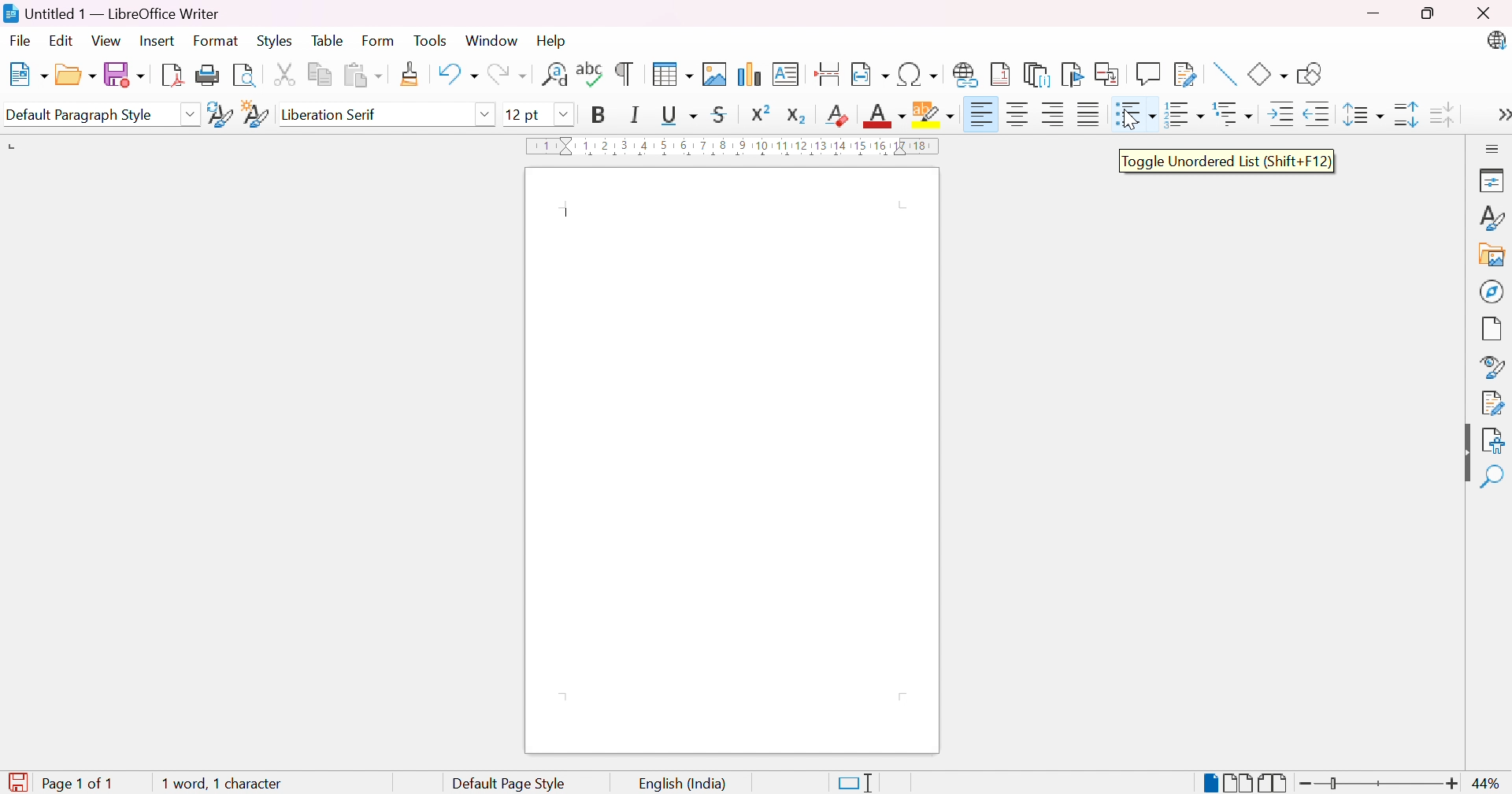 This screenshot has height=794, width=1512. What do you see at coordinates (1284, 113) in the screenshot?
I see `Increase indent` at bounding box center [1284, 113].